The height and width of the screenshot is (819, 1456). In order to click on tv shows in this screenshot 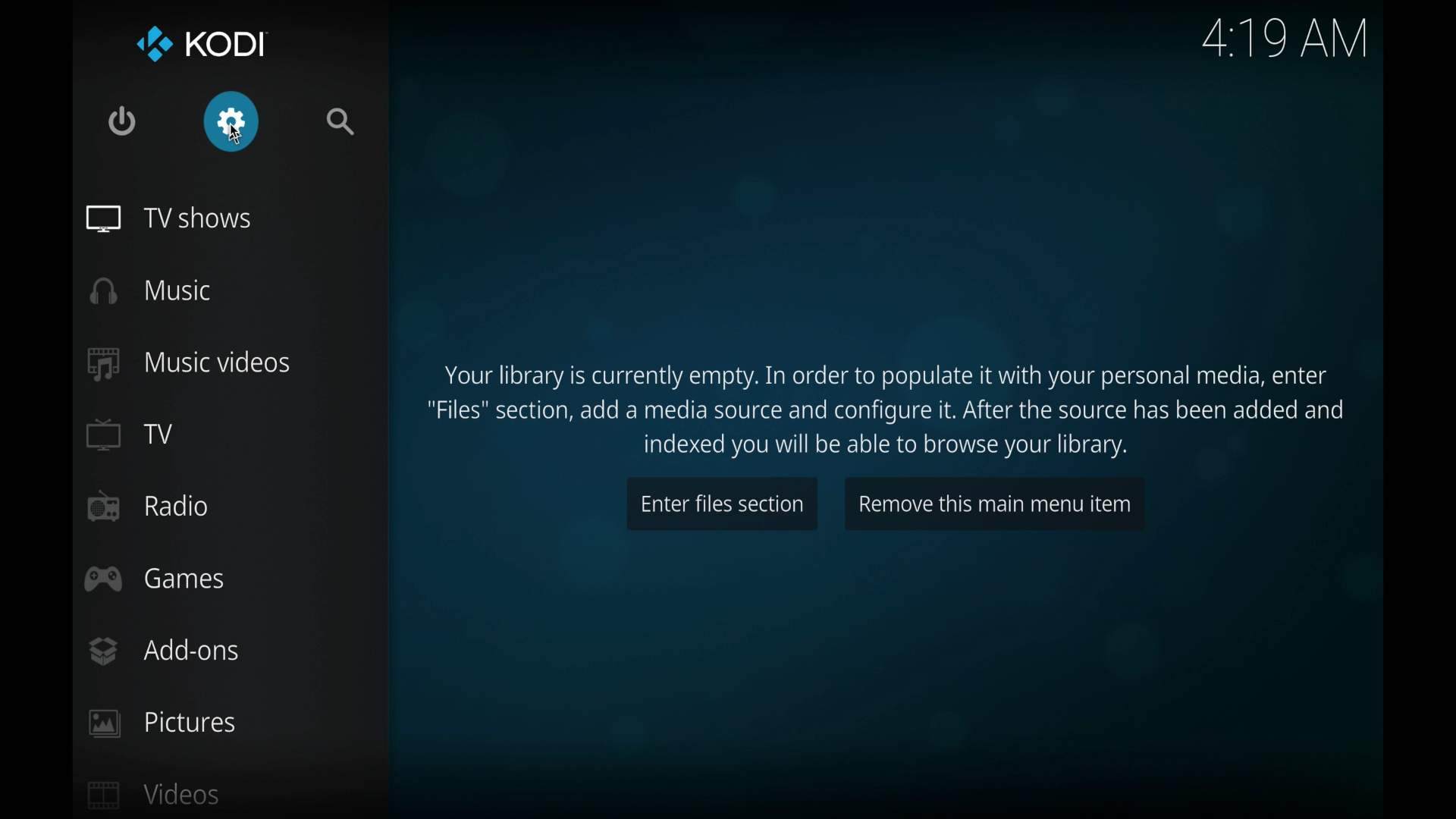, I will do `click(168, 218)`.